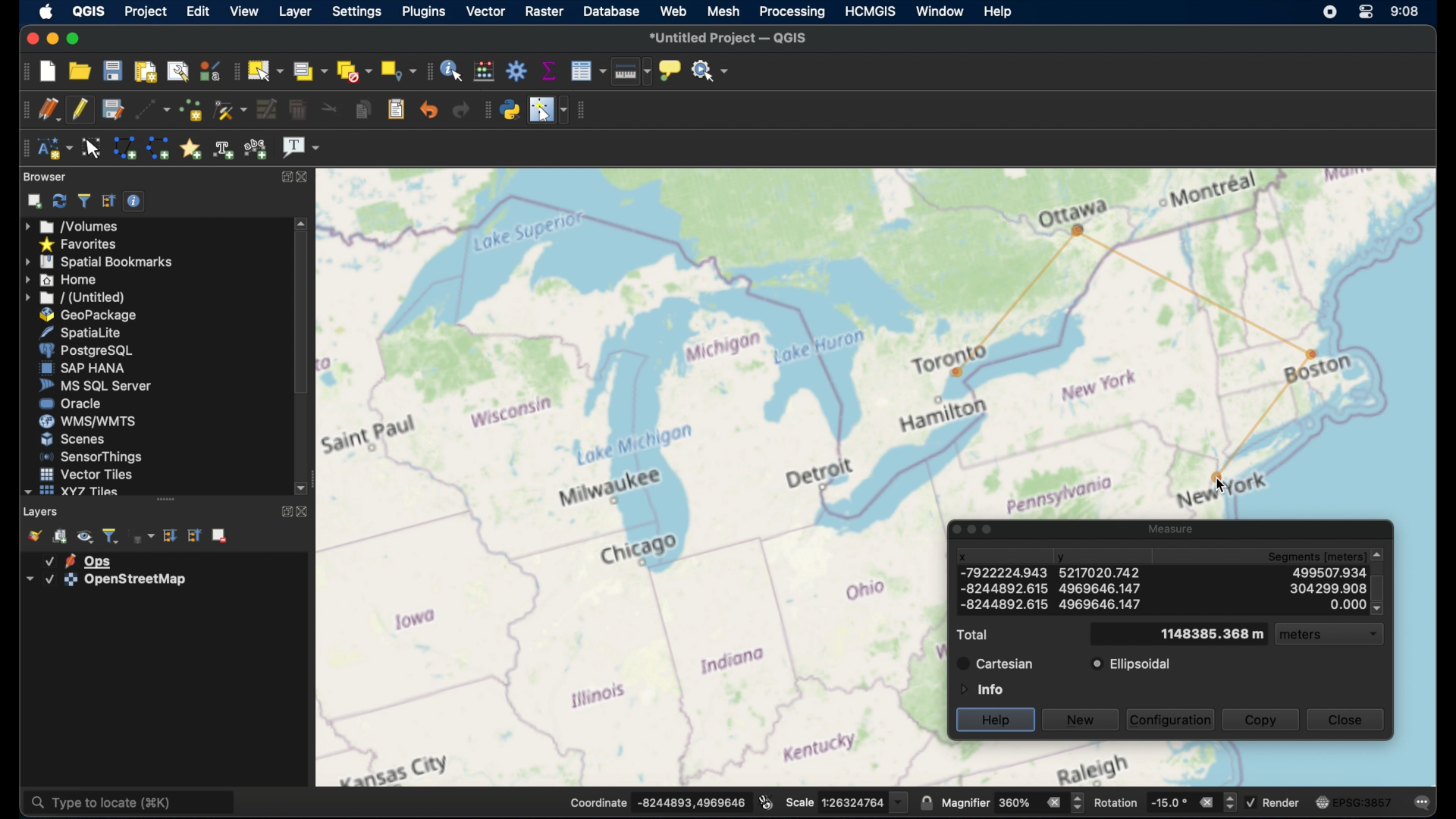  What do you see at coordinates (71, 404) in the screenshot?
I see `oracle` at bounding box center [71, 404].